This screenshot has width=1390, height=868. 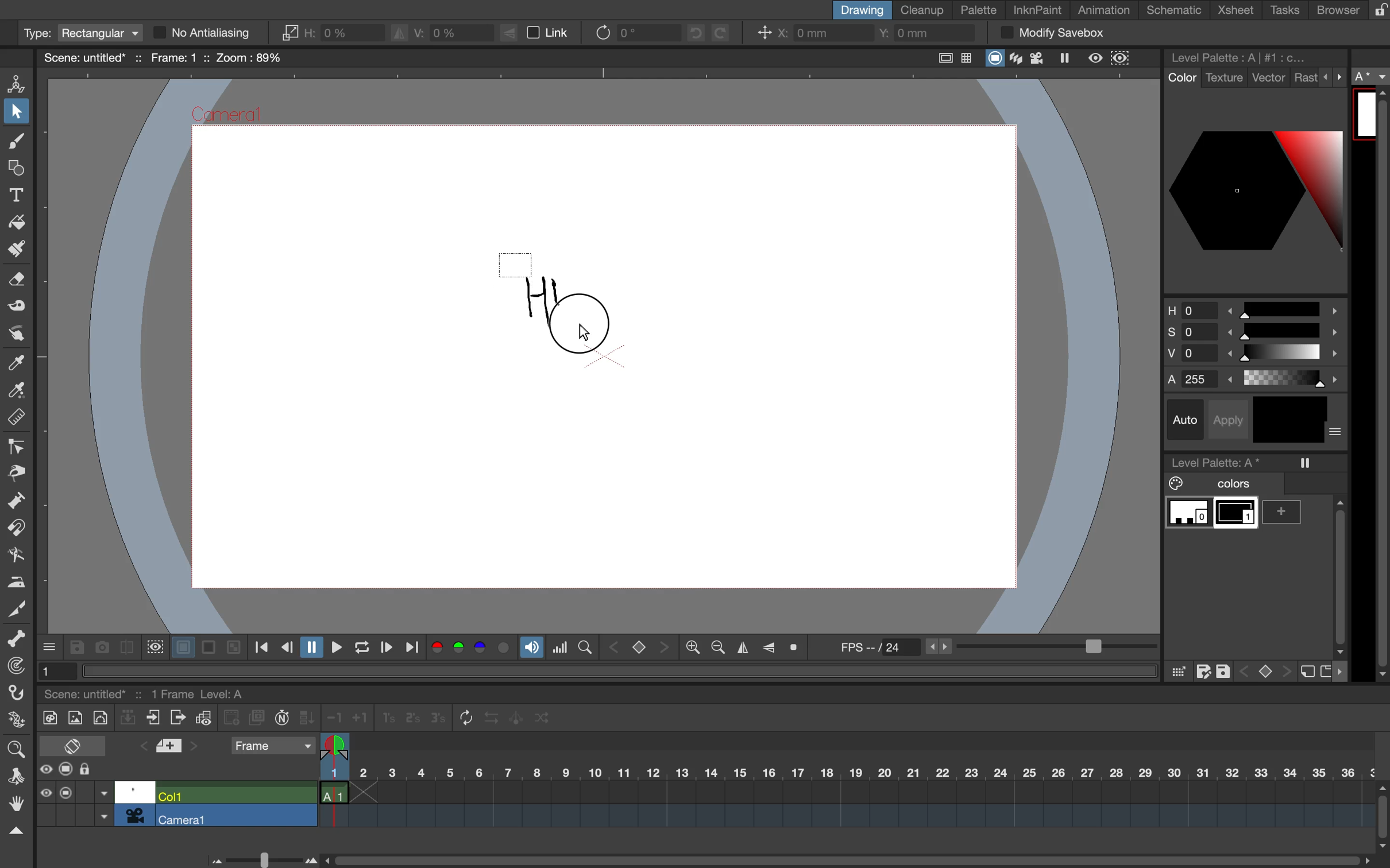 What do you see at coordinates (17, 192) in the screenshot?
I see `type tool` at bounding box center [17, 192].